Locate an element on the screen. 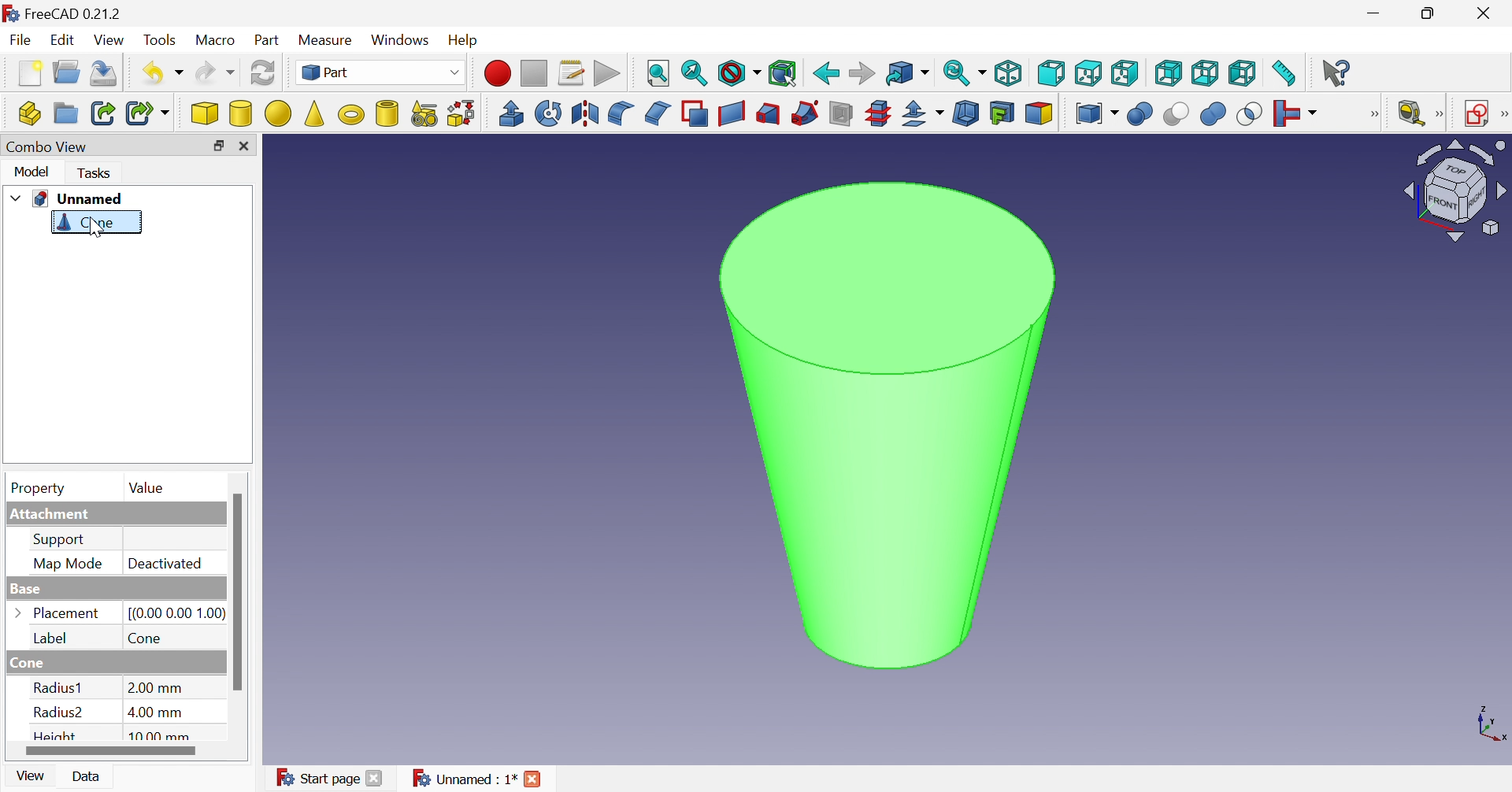 This screenshot has height=792, width=1512. Cylinder is located at coordinates (239, 115).